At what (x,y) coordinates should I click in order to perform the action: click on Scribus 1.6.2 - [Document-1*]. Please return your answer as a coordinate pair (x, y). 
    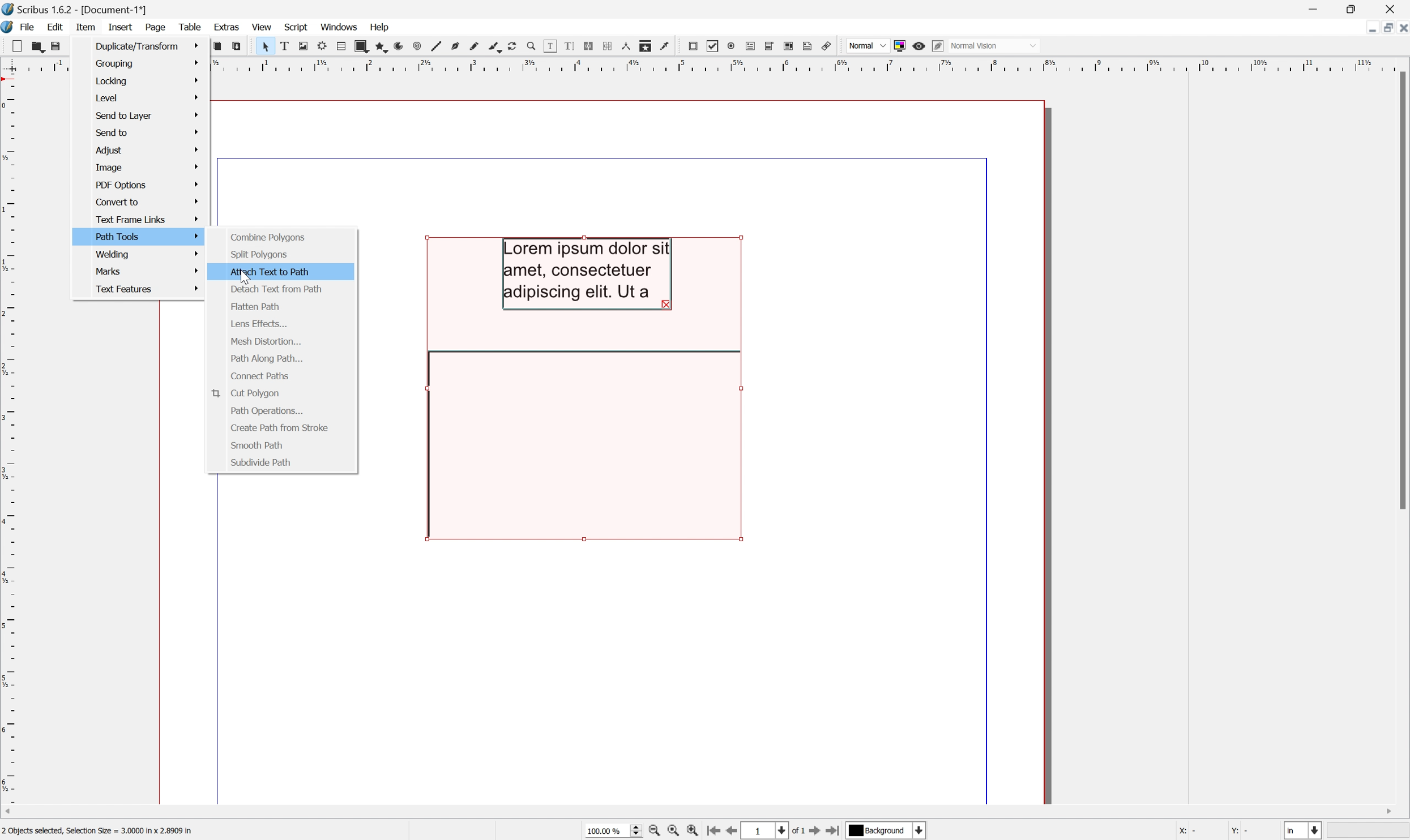
    Looking at the image, I should click on (72, 10).